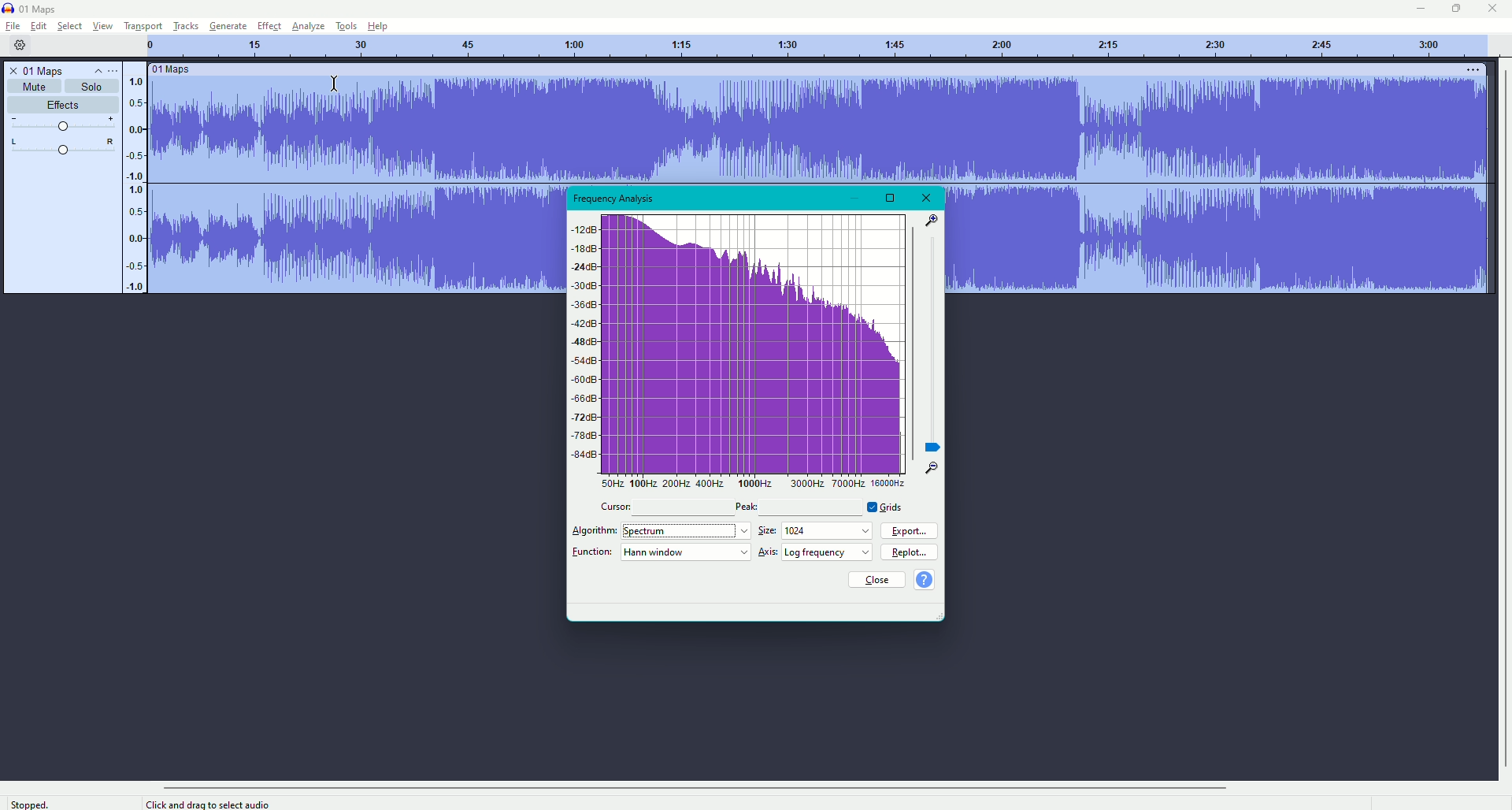 The image size is (1512, 810). What do you see at coordinates (617, 505) in the screenshot?
I see `Cursor` at bounding box center [617, 505].